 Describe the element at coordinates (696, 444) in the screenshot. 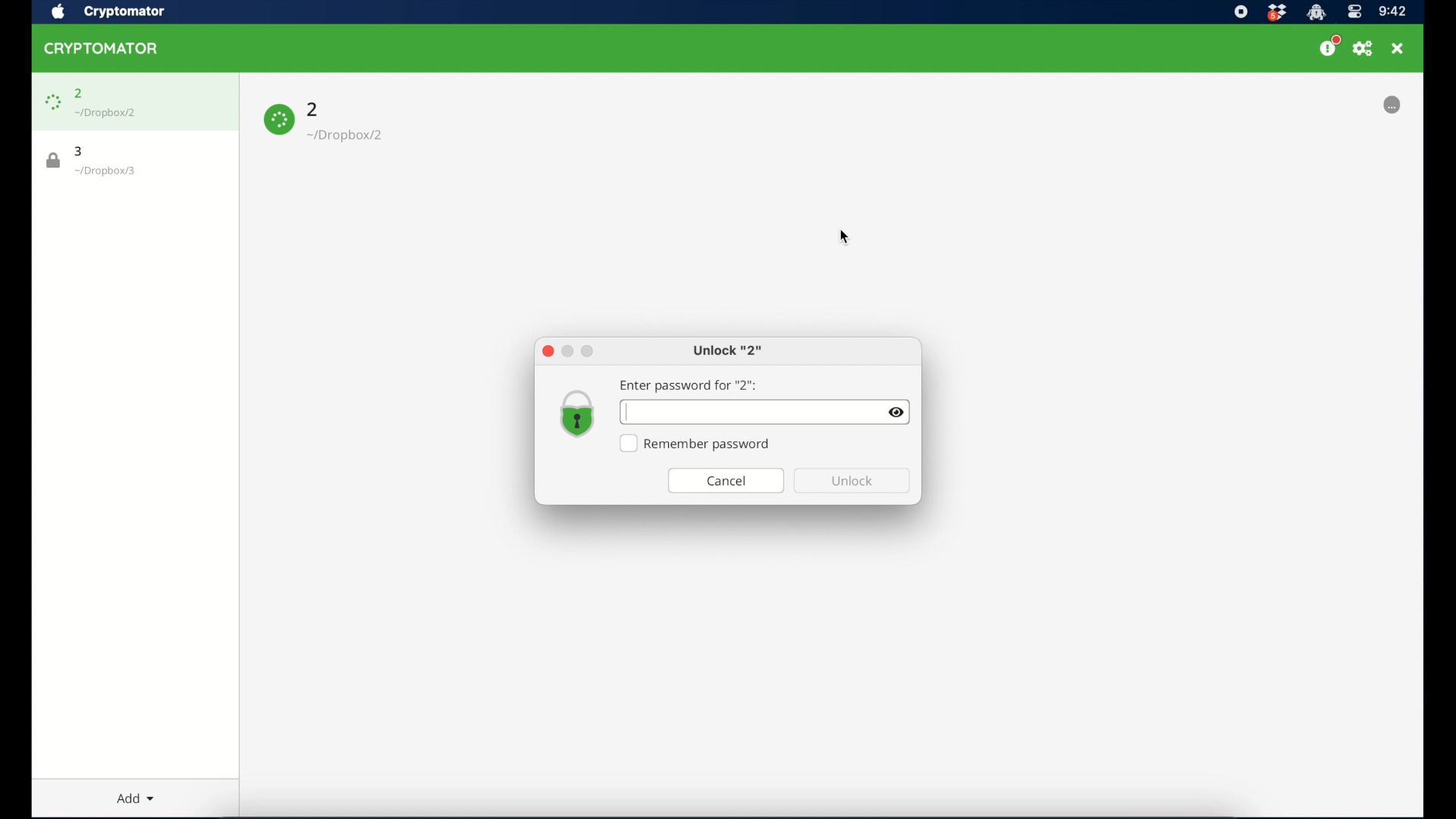

I see `remember password checkbox` at that location.